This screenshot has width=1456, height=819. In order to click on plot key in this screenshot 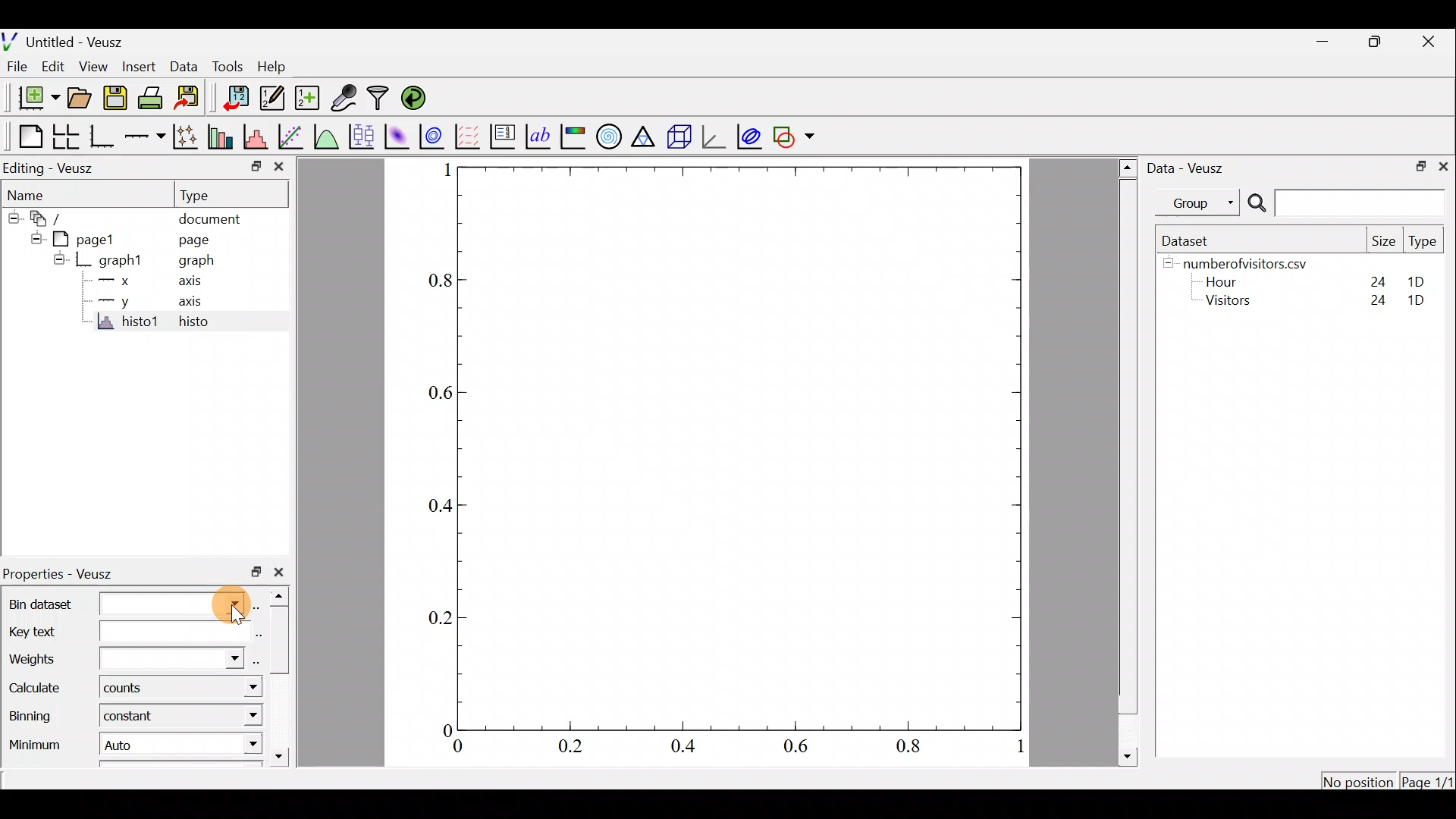, I will do `click(501, 136)`.